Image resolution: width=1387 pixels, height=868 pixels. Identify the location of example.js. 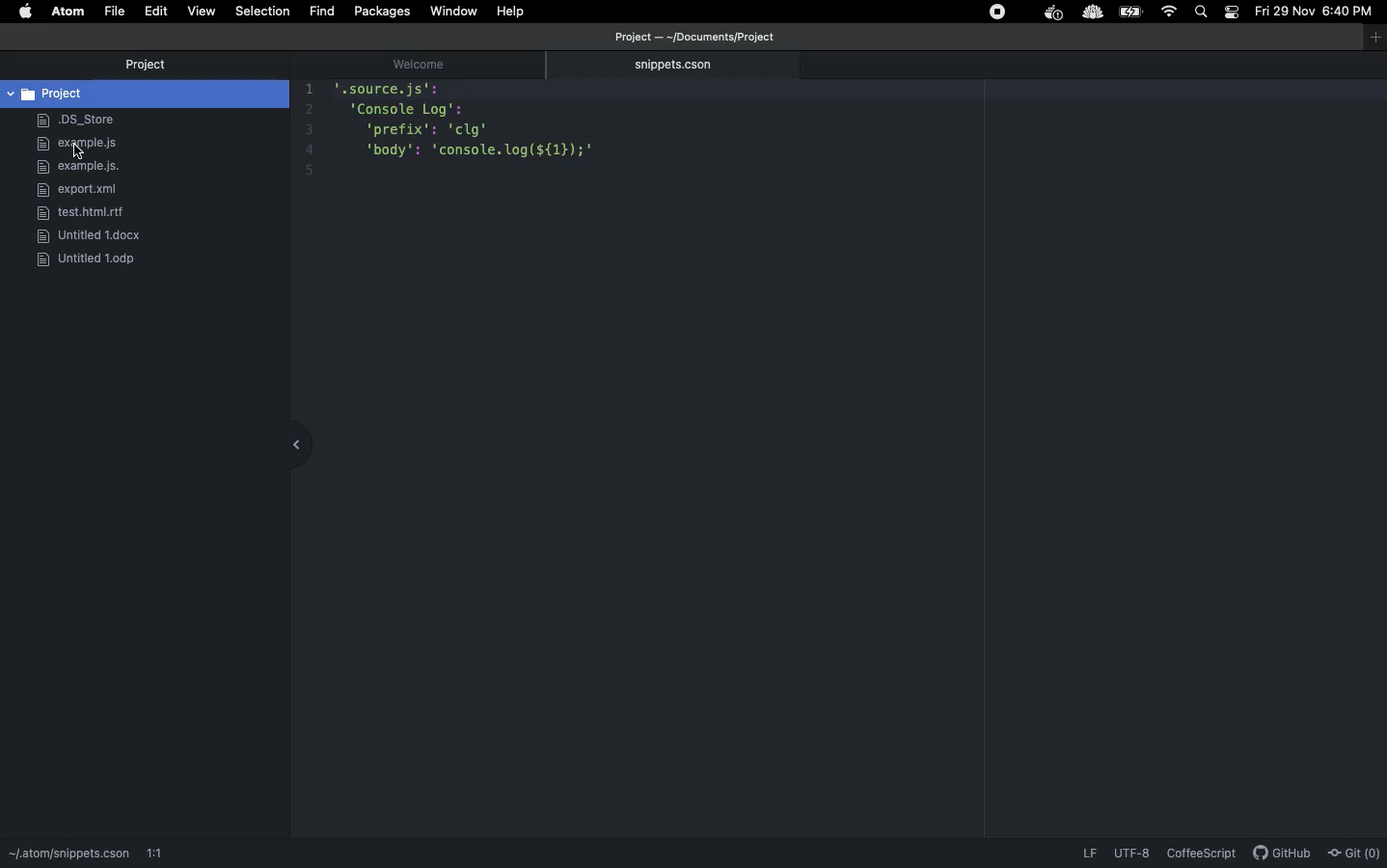
(80, 143).